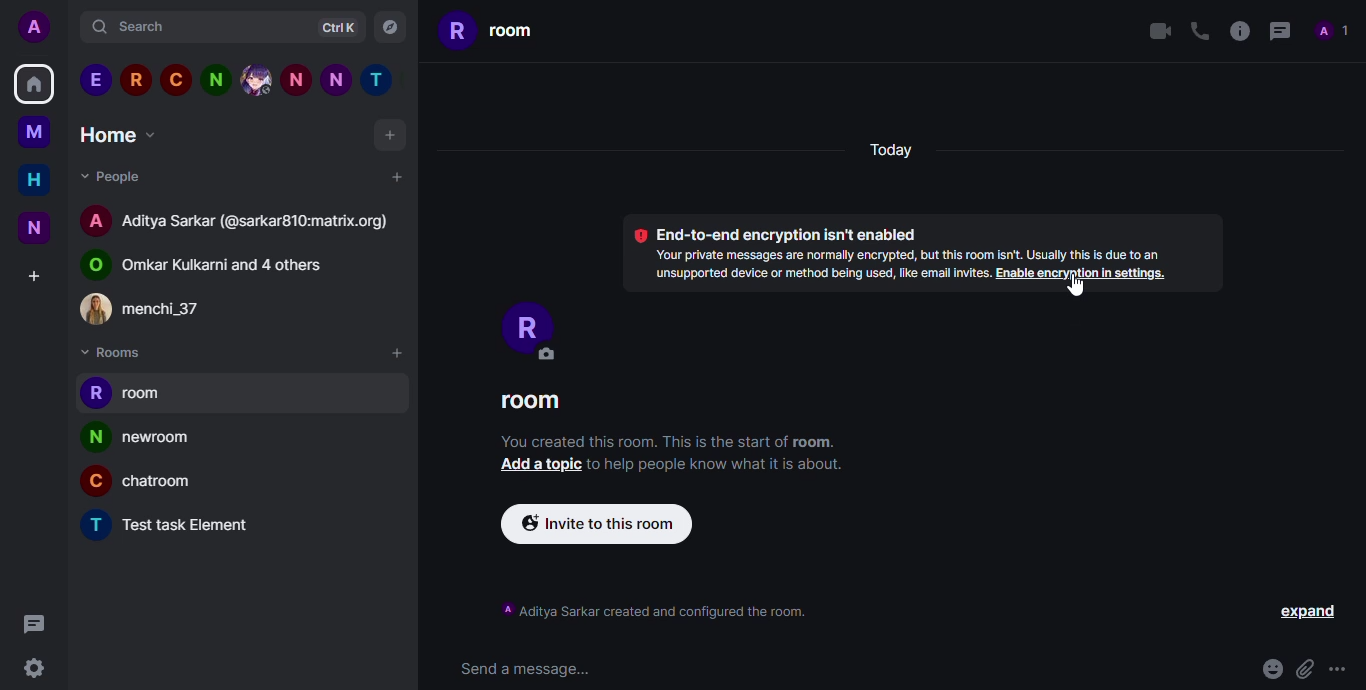 This screenshot has width=1366, height=690. Describe the element at coordinates (34, 667) in the screenshot. I see `settings` at that location.